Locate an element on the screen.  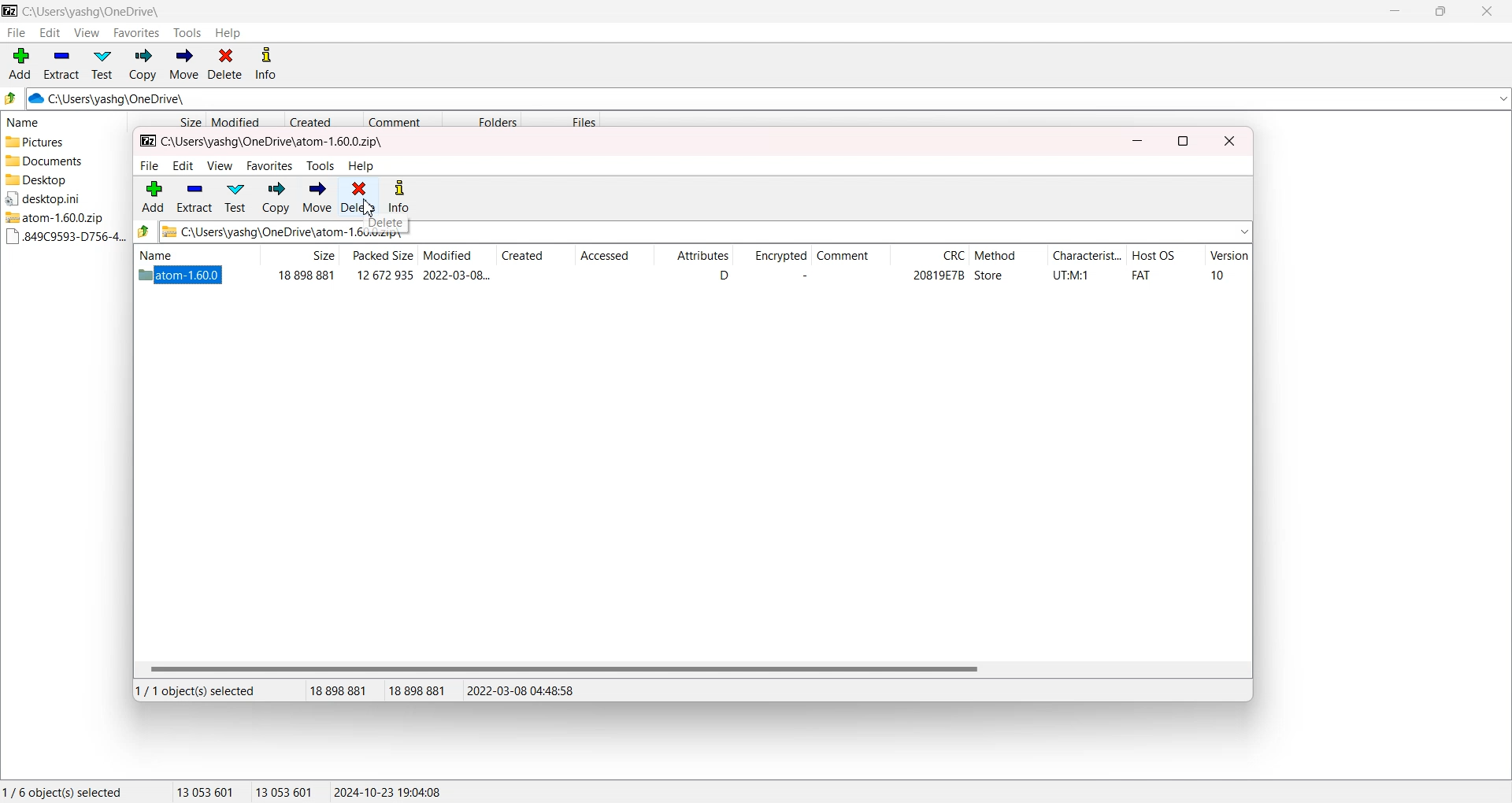
Desktop File is located at coordinates (58, 198).